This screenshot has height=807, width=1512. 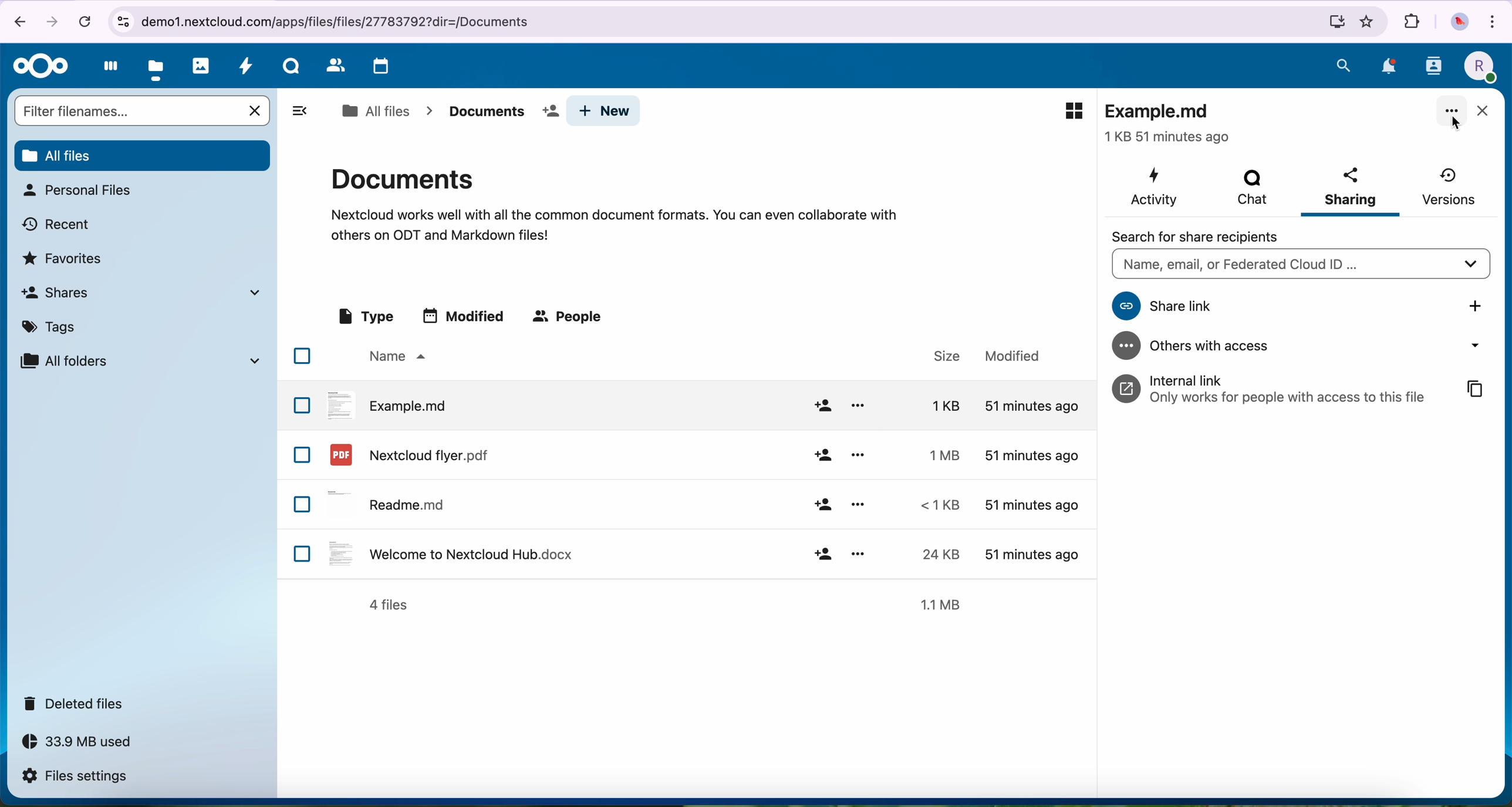 I want to click on 1.1MB, so click(x=945, y=603).